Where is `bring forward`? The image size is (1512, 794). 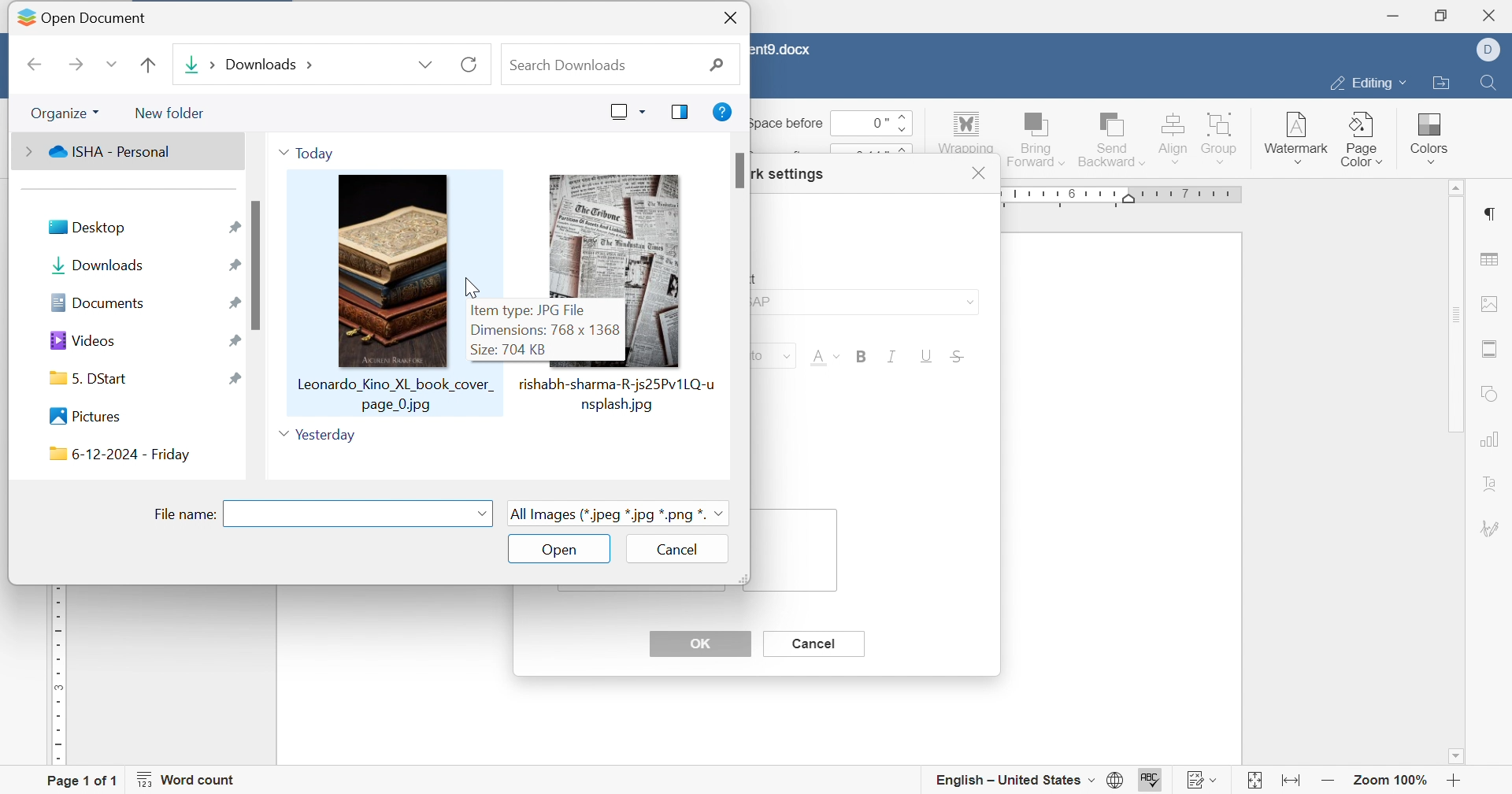 bring forward is located at coordinates (1034, 137).